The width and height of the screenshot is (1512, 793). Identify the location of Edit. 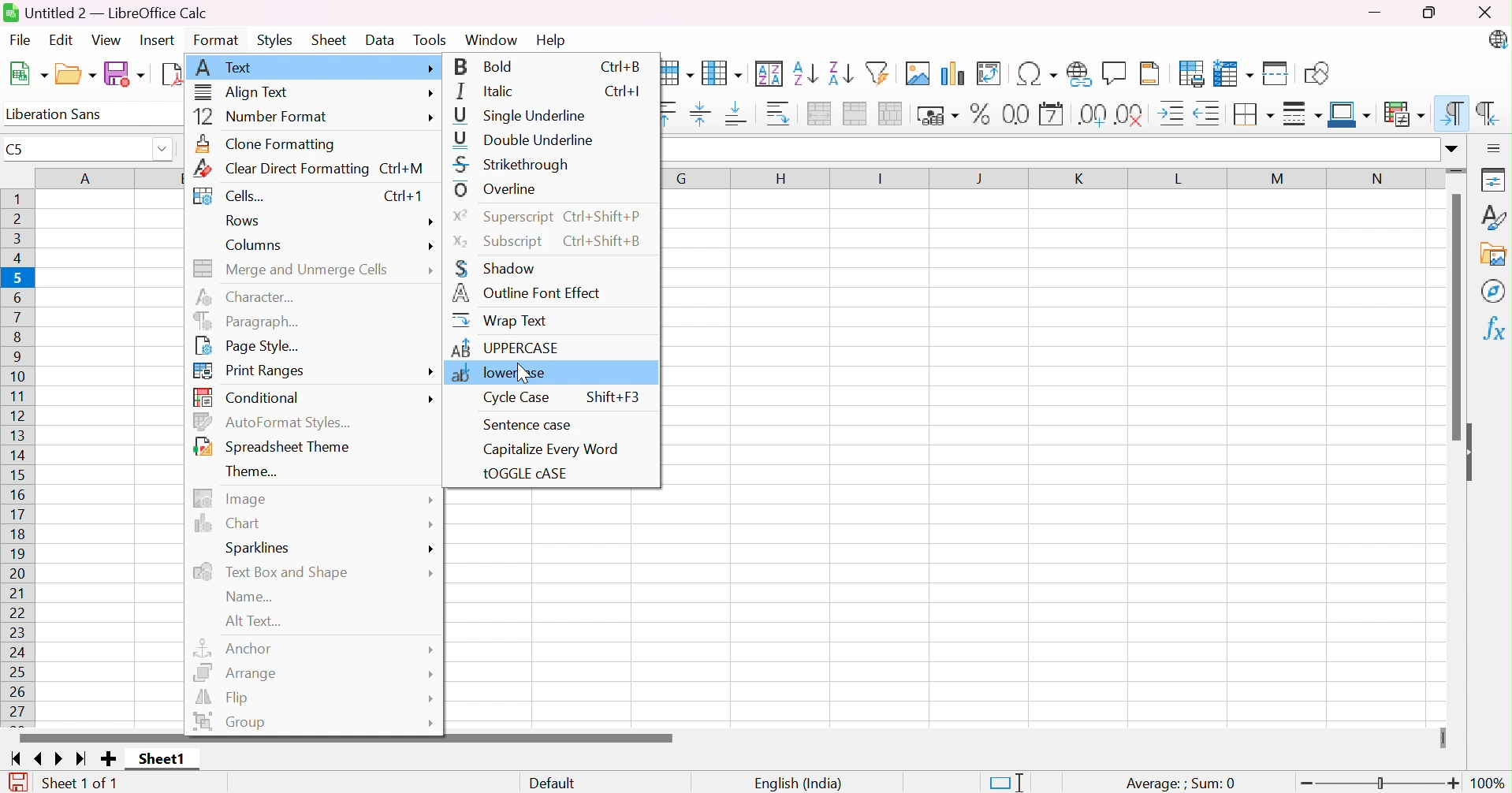
(62, 41).